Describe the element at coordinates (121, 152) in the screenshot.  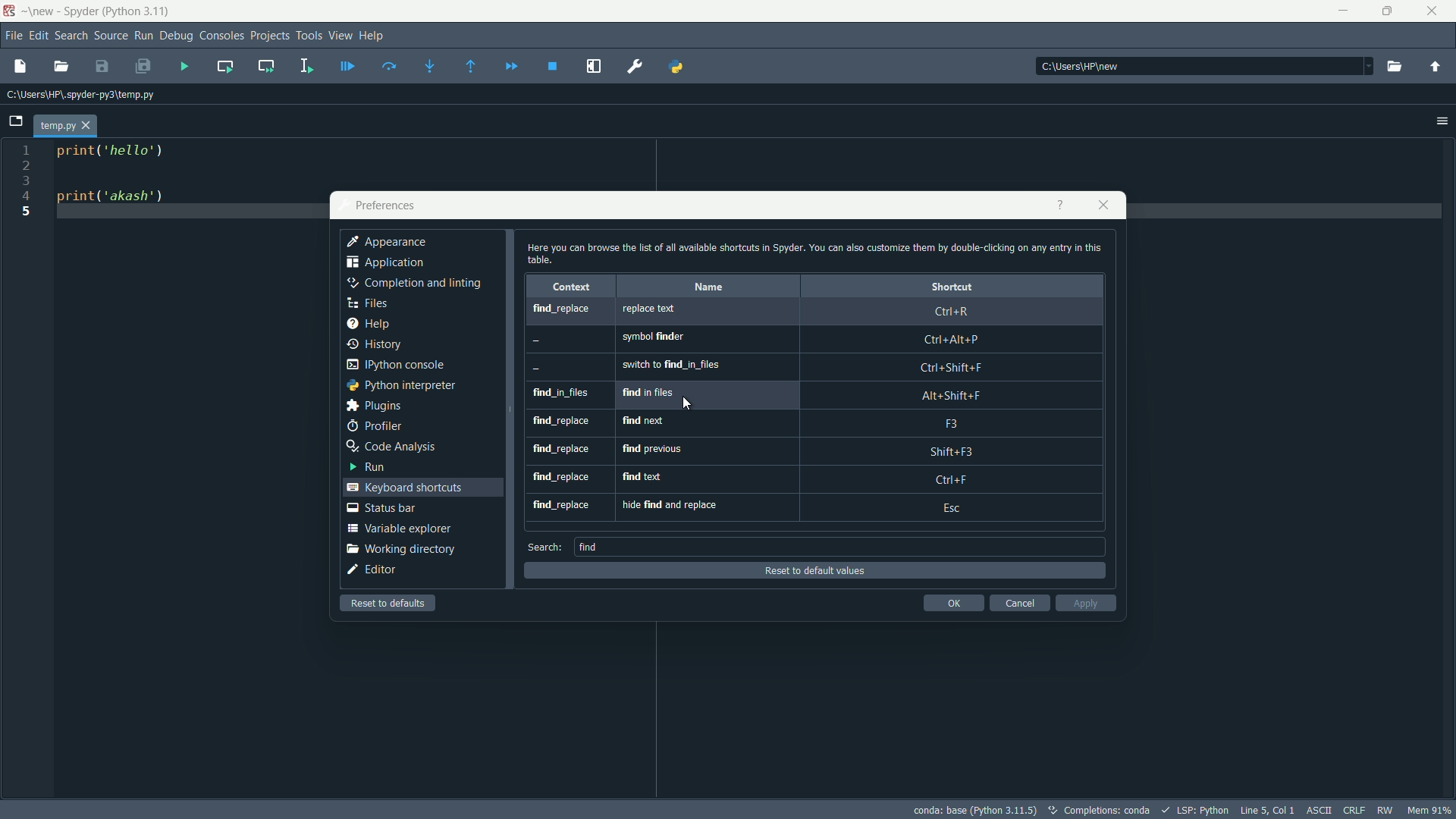
I see `print ('hello') ` at that location.